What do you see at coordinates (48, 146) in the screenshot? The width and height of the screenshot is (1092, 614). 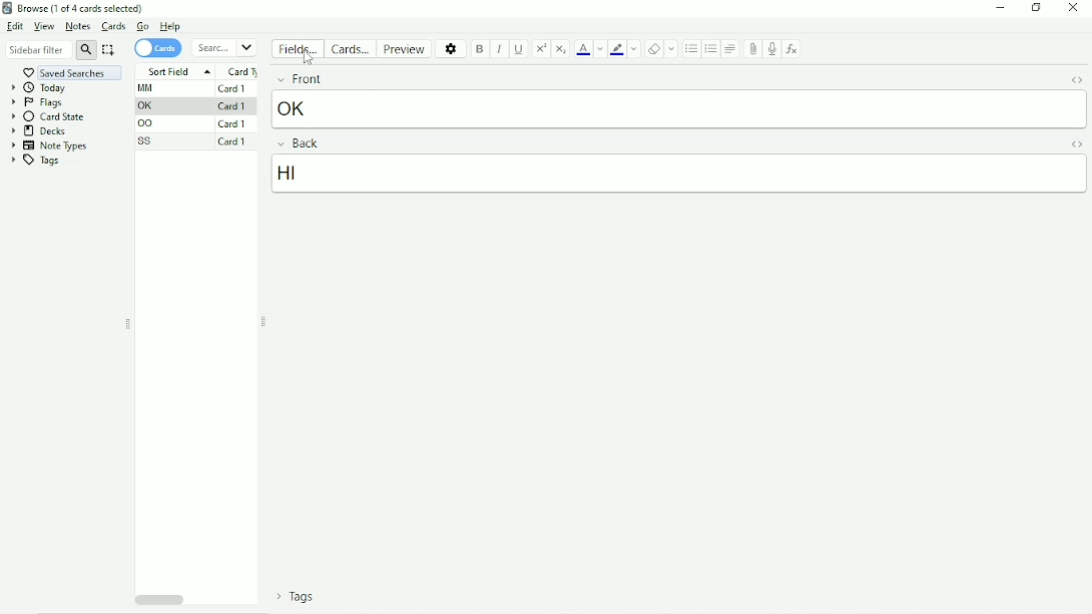 I see `Note Types` at bounding box center [48, 146].